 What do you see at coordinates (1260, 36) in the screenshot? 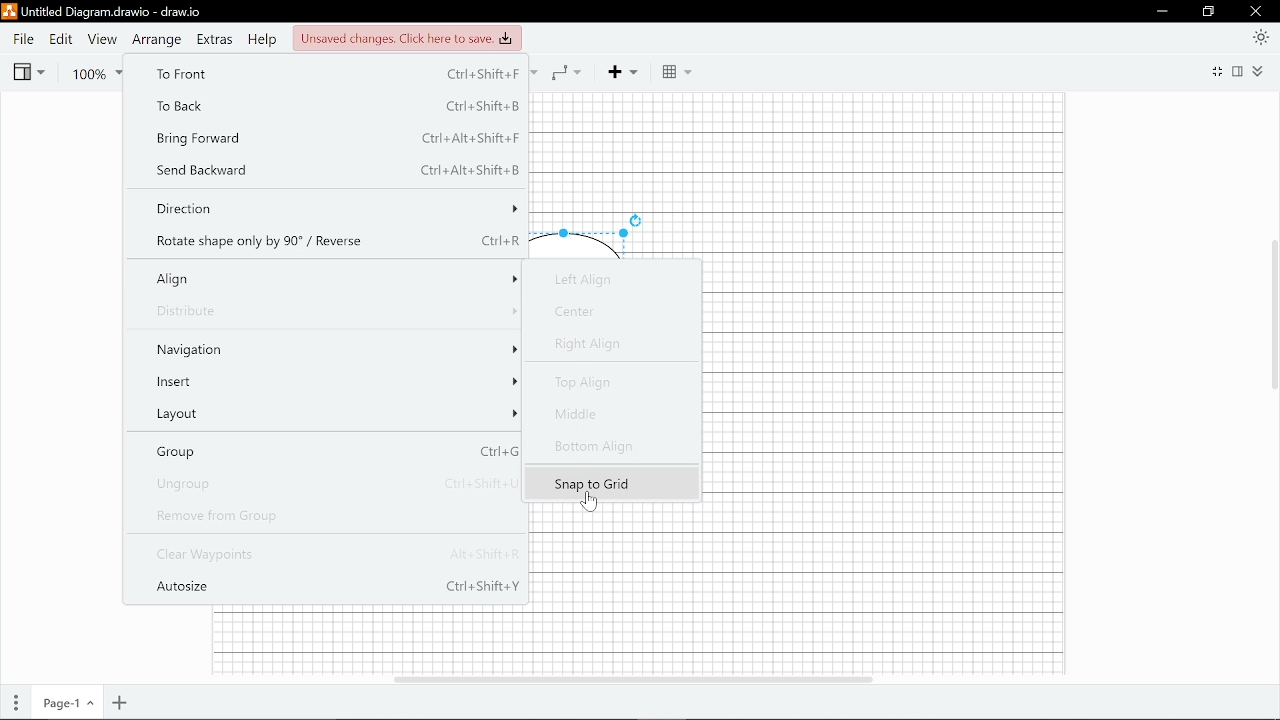
I see `Appearance` at bounding box center [1260, 36].